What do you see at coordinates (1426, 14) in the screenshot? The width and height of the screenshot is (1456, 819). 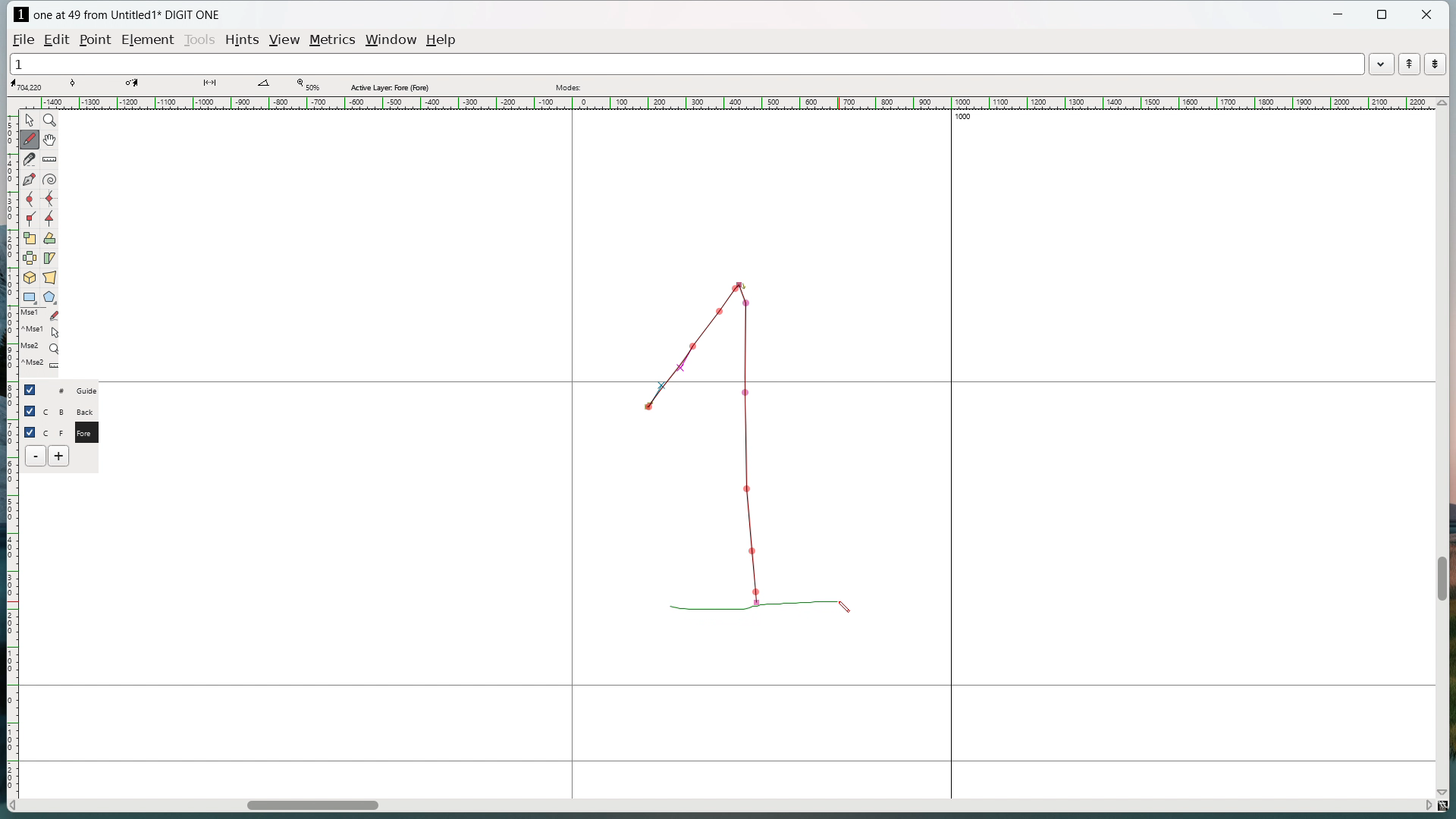 I see `close` at bounding box center [1426, 14].